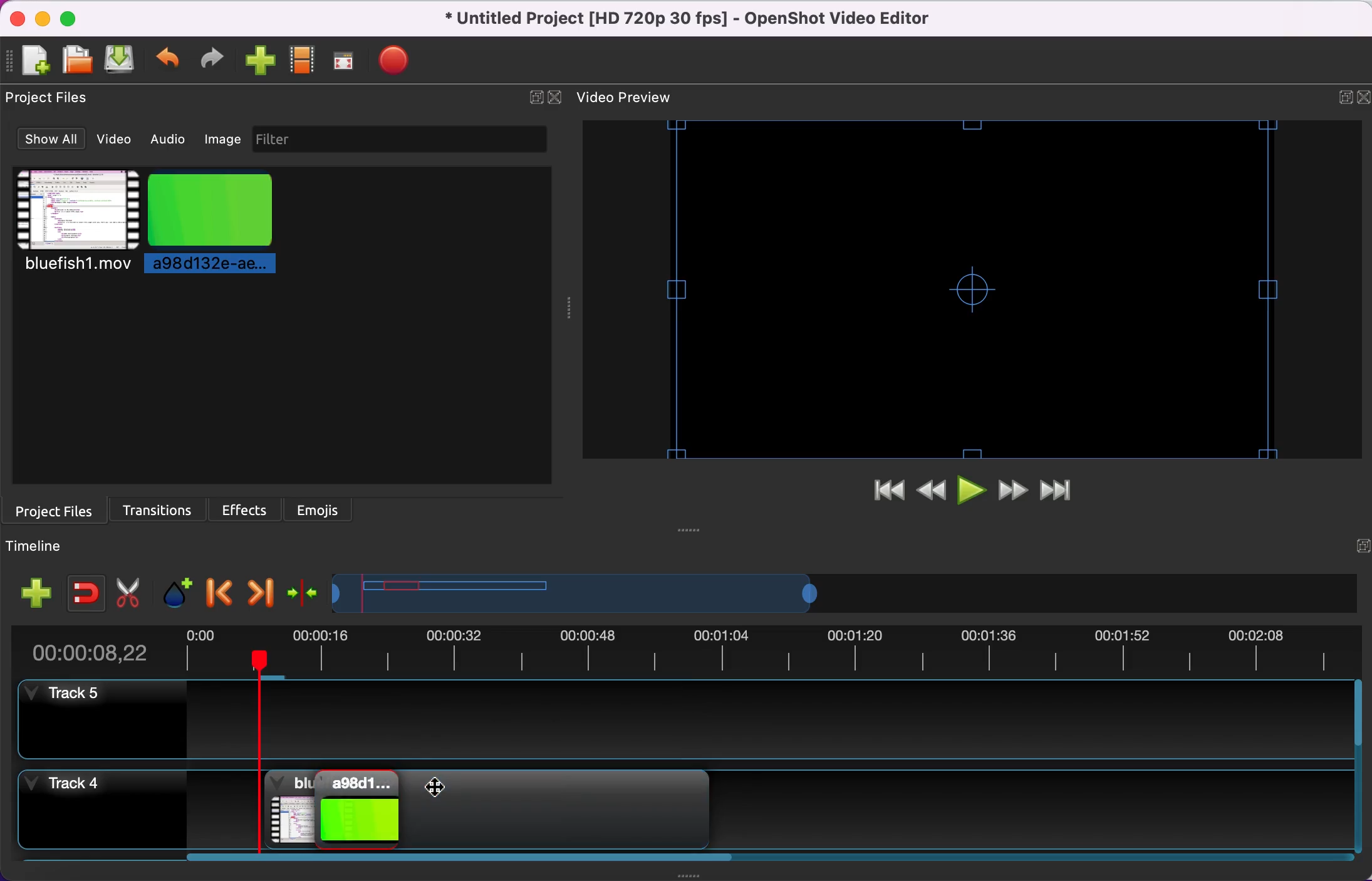 Image resolution: width=1372 pixels, height=881 pixels. What do you see at coordinates (301, 63) in the screenshot?
I see `choose profile` at bounding box center [301, 63].